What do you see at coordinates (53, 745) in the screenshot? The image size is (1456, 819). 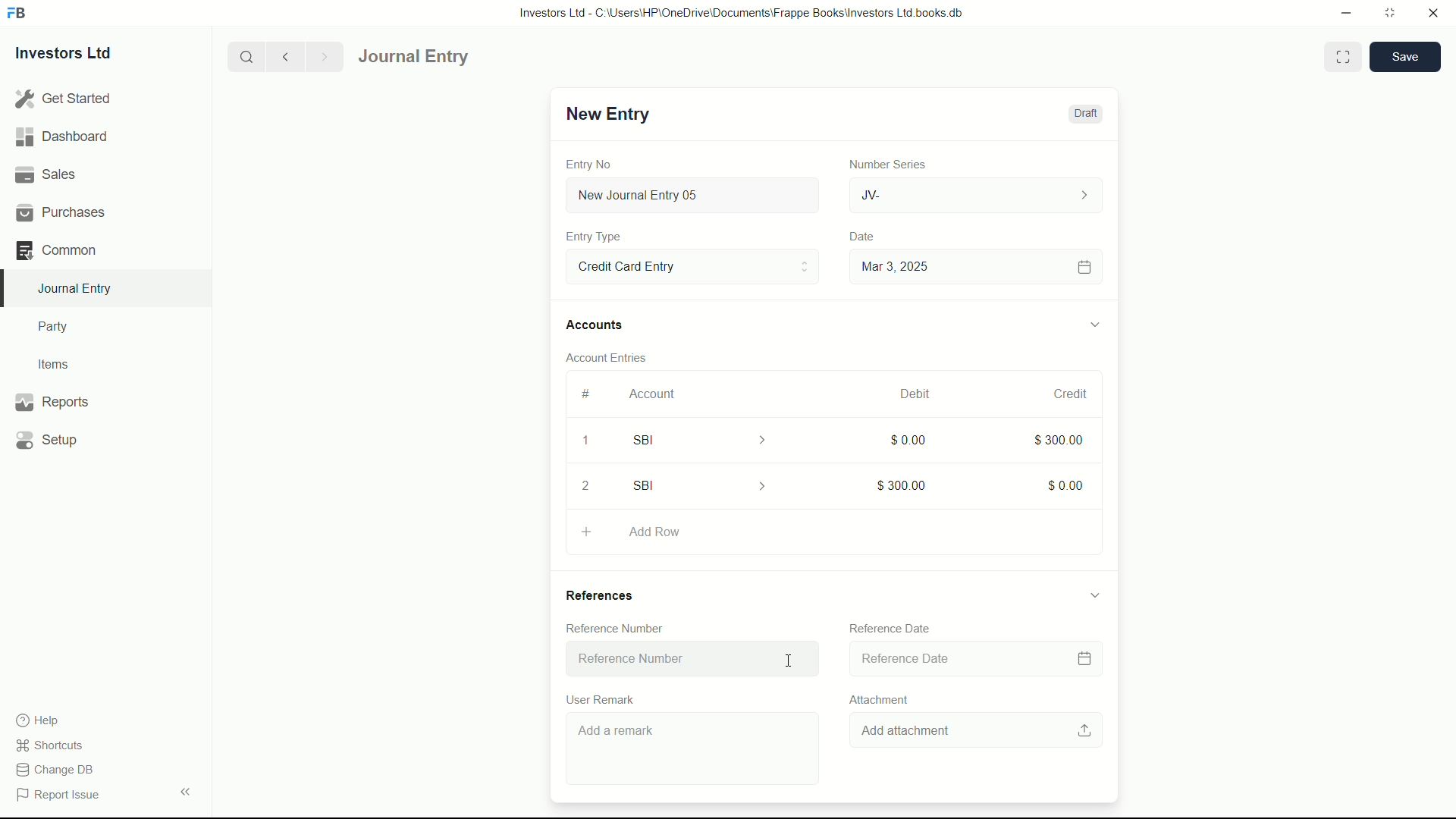 I see `shortcuts` at bounding box center [53, 745].